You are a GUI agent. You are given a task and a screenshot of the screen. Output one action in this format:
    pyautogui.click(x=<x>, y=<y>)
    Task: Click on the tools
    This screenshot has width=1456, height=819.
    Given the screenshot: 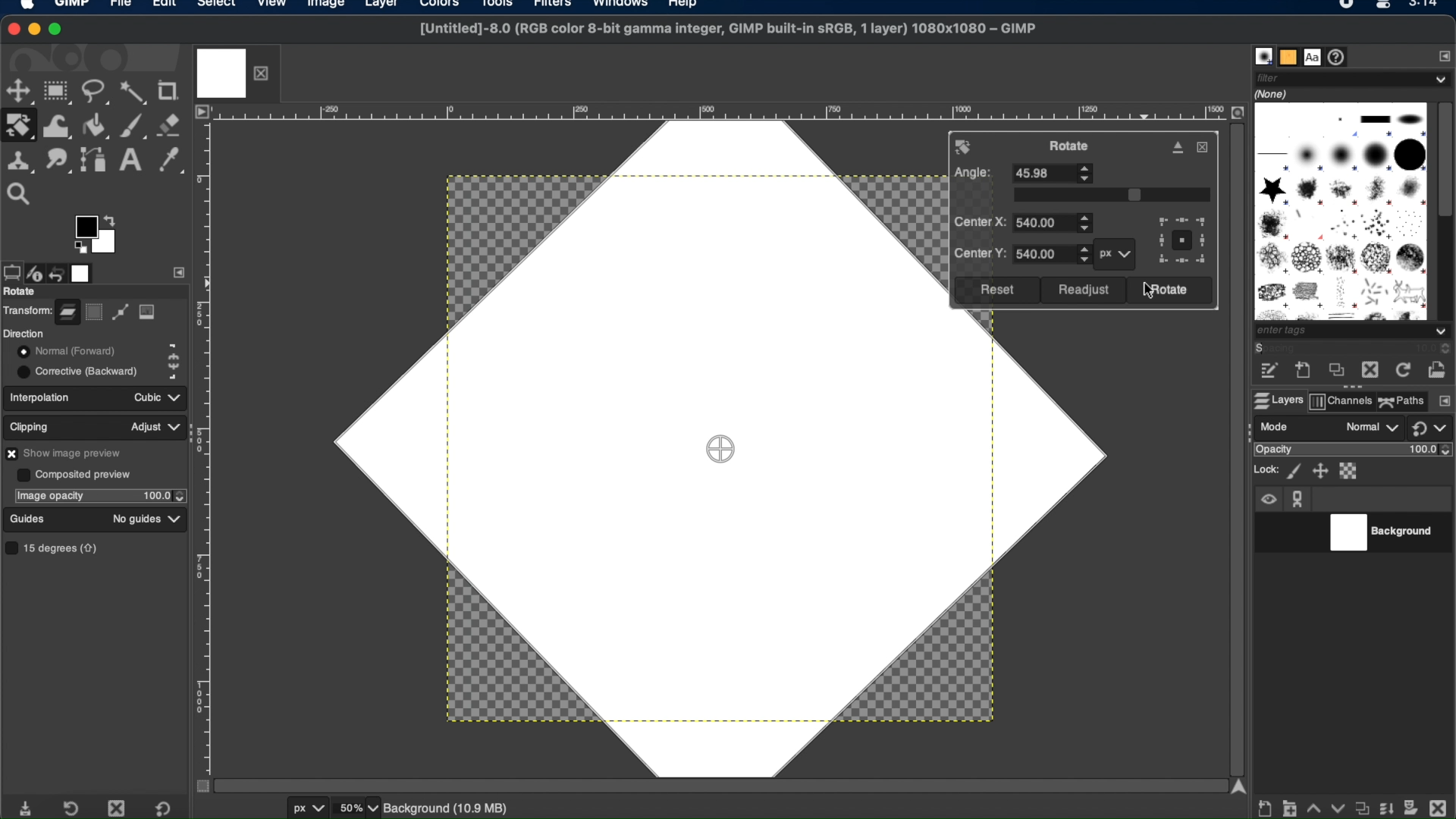 What is the action you would take?
    pyautogui.click(x=502, y=6)
    